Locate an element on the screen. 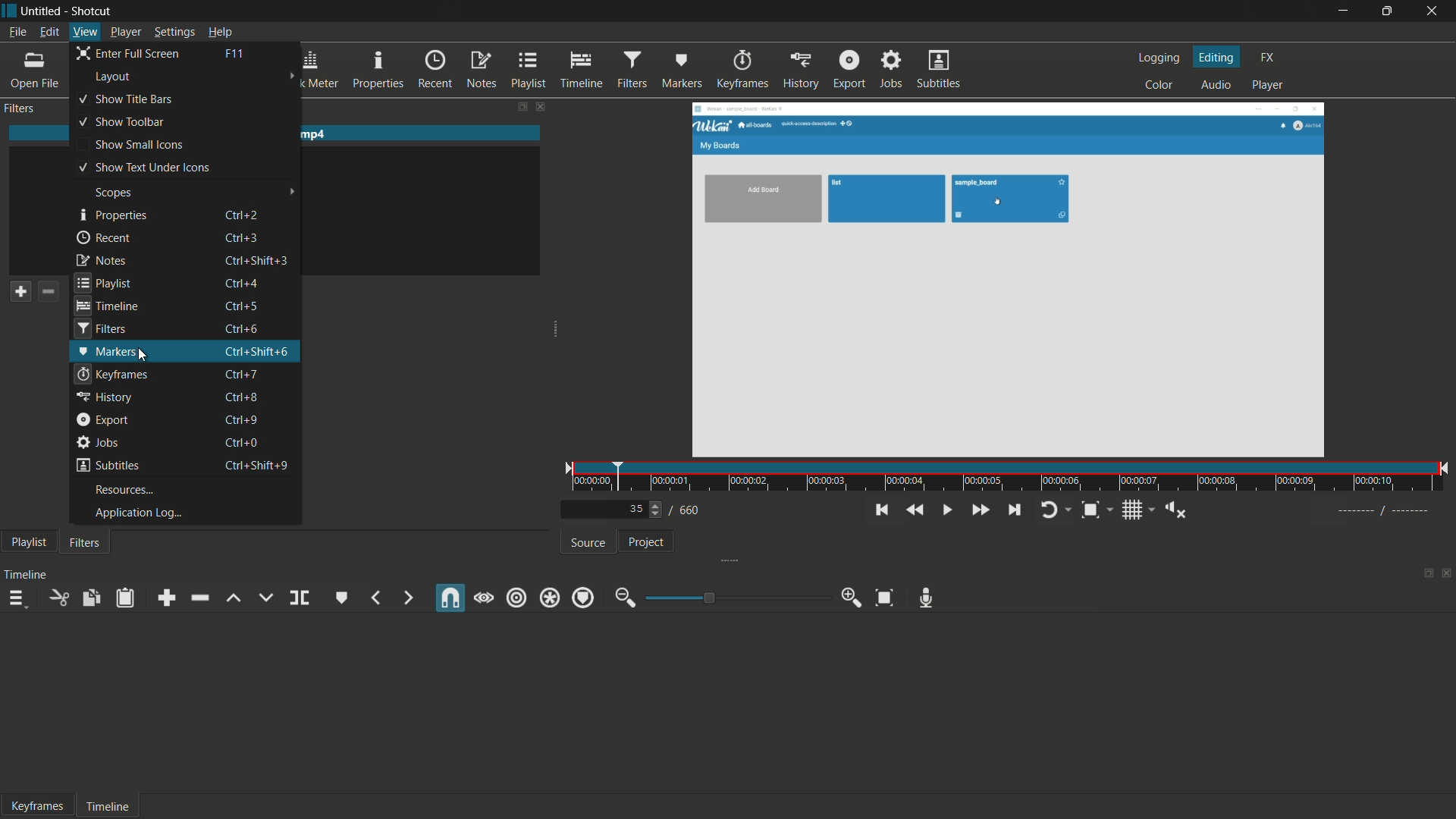 The image size is (1456, 819). toggle play or pause is located at coordinates (945, 510).